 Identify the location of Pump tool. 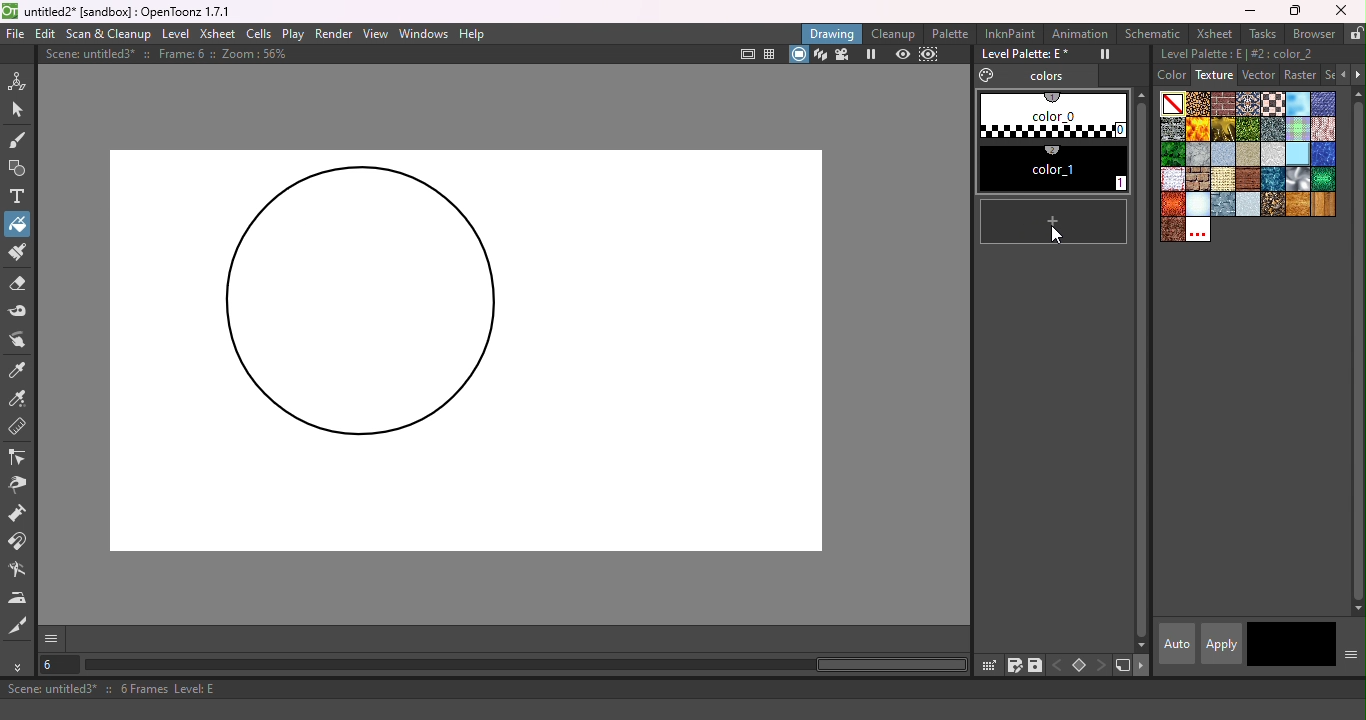
(21, 513).